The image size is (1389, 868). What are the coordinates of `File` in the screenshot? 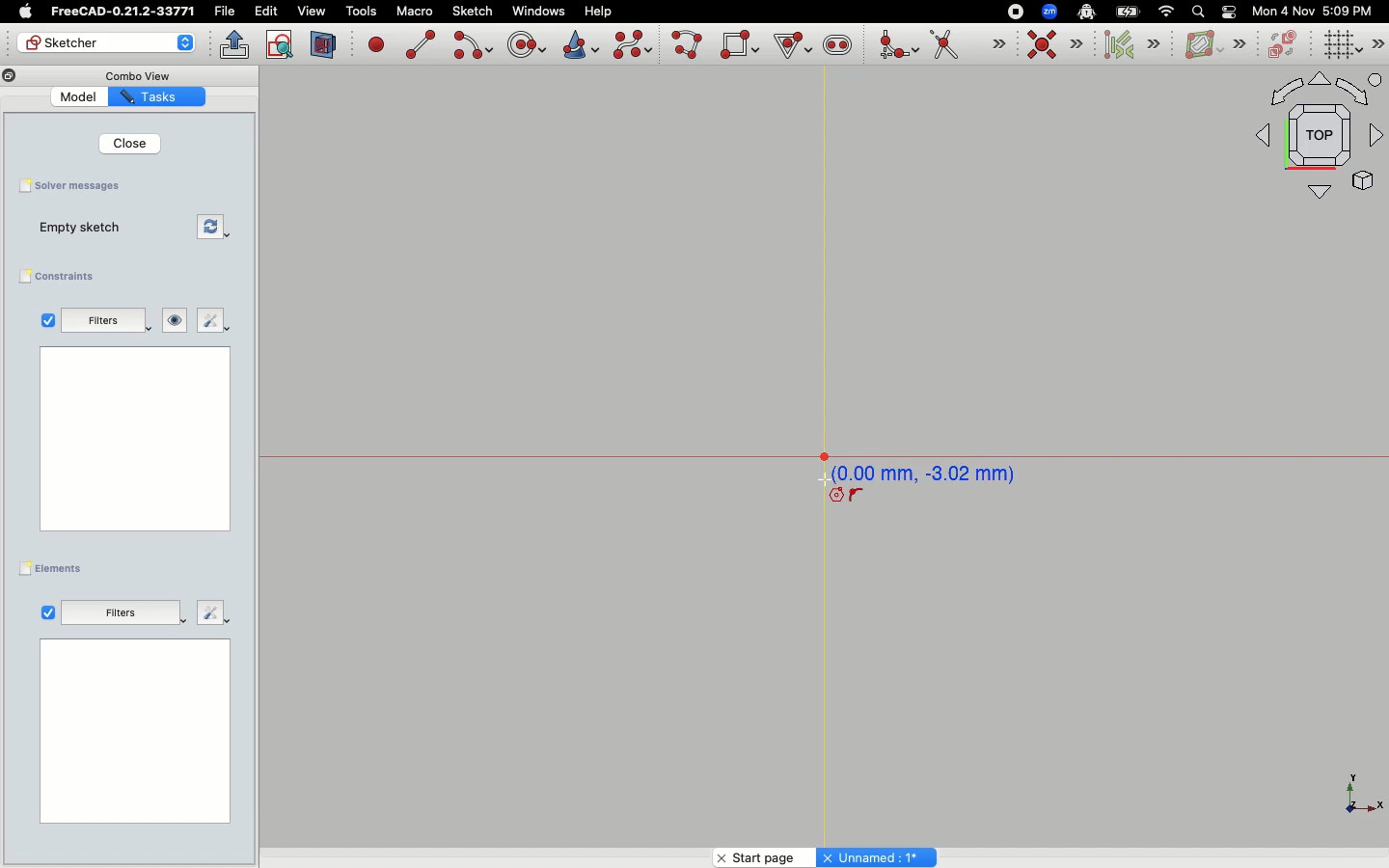 It's located at (227, 12).